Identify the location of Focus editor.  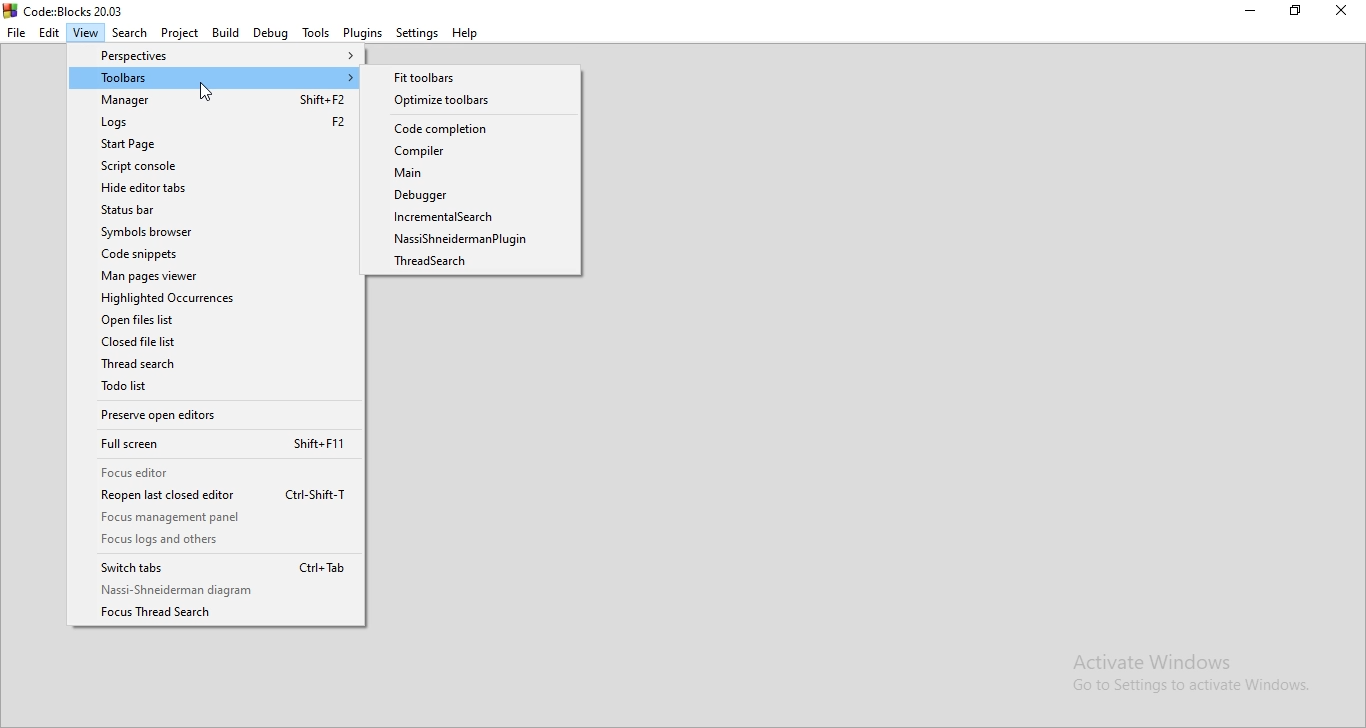
(215, 472).